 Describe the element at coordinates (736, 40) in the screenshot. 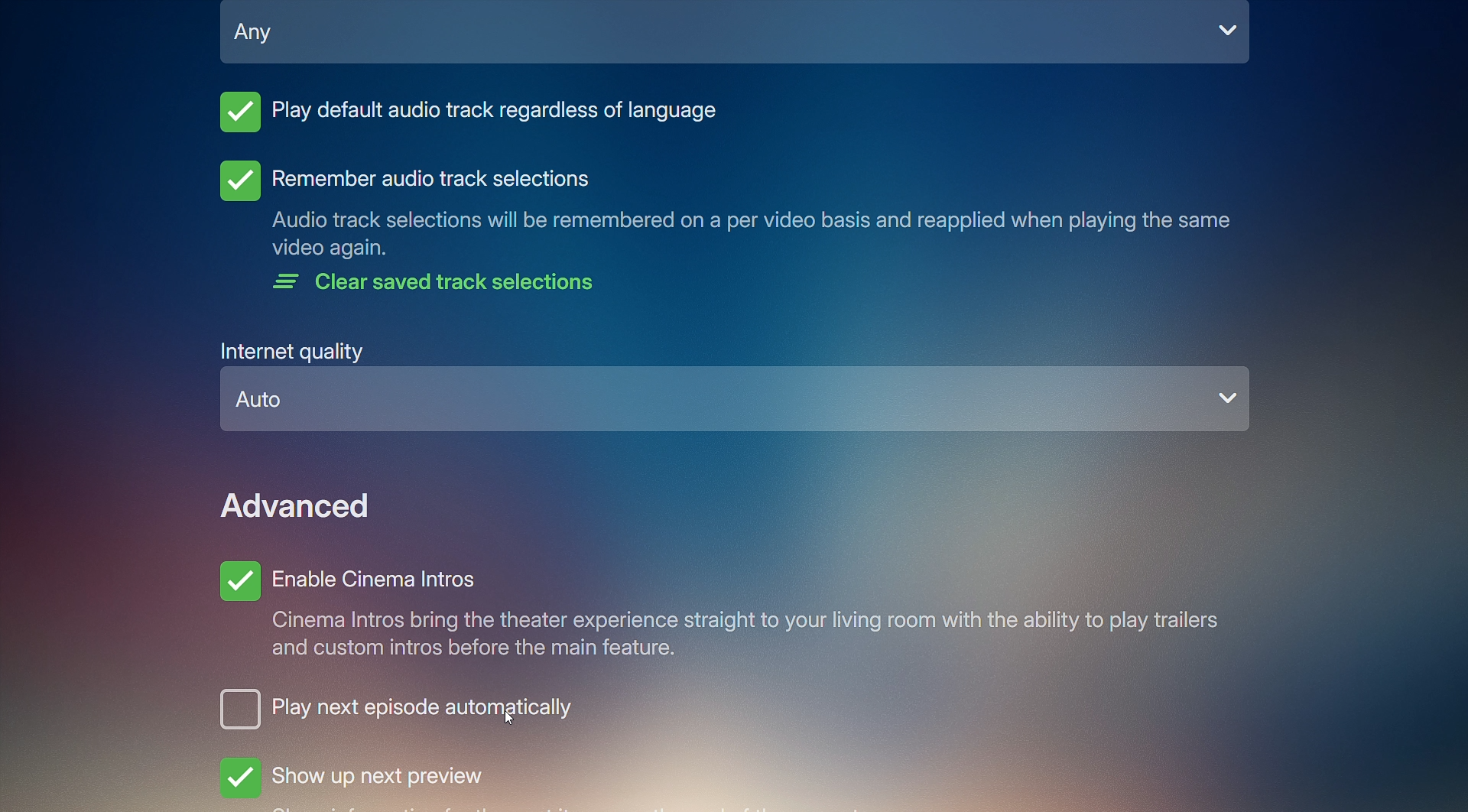

I see `Any` at that location.